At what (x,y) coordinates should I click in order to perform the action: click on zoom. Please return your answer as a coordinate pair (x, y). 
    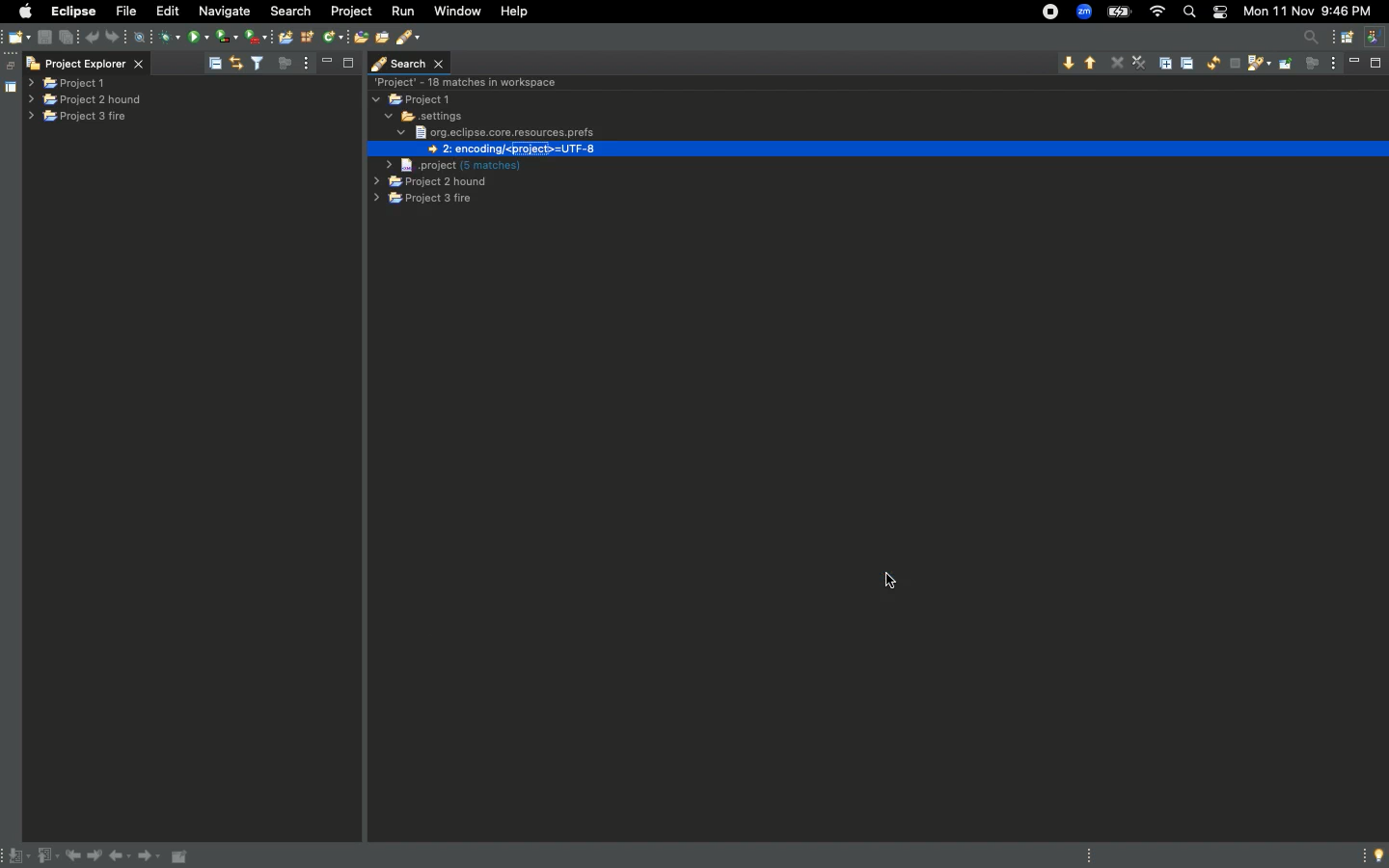
    Looking at the image, I should click on (1085, 13).